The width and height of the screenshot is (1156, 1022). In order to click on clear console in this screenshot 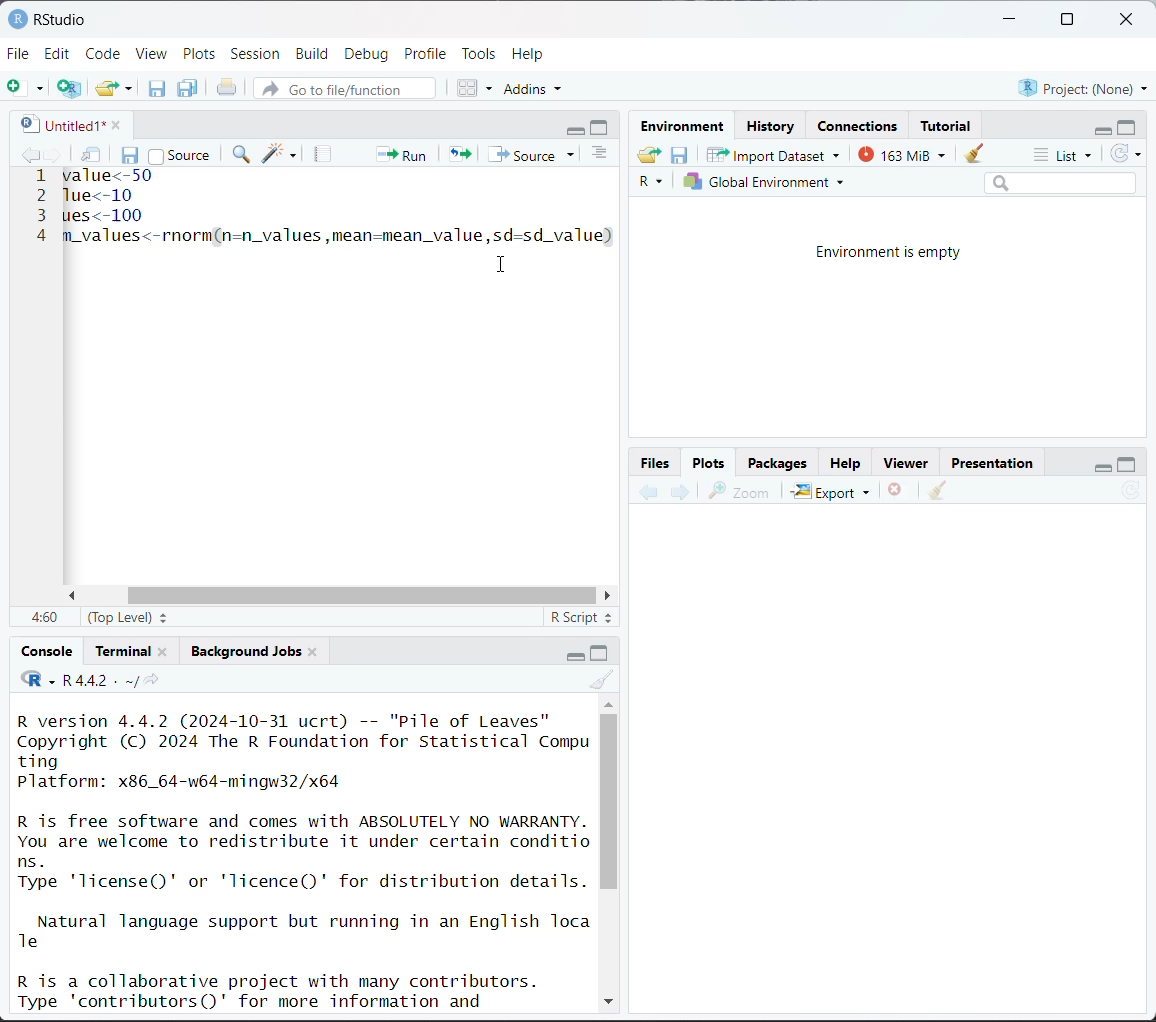, I will do `click(604, 680)`.